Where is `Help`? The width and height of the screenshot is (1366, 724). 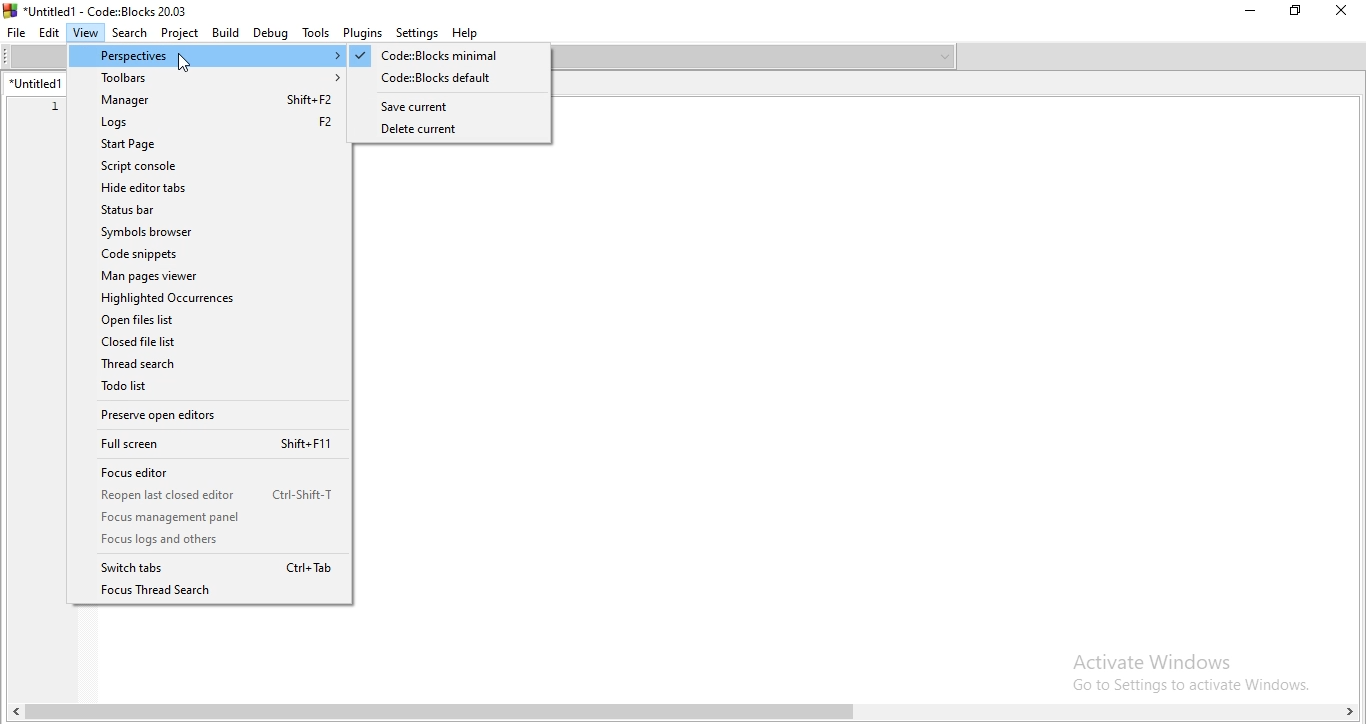 Help is located at coordinates (464, 32).